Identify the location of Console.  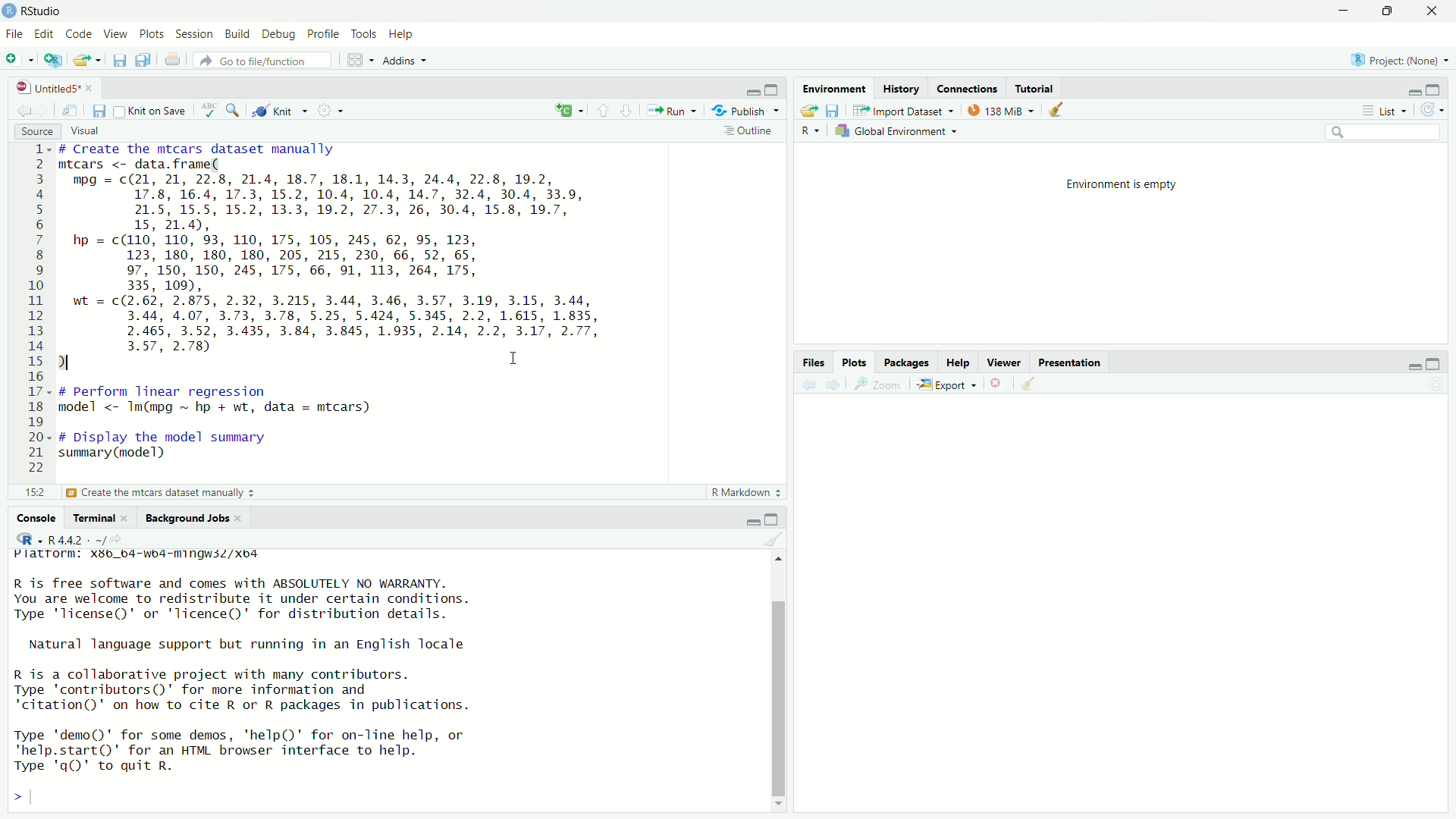
(36, 519).